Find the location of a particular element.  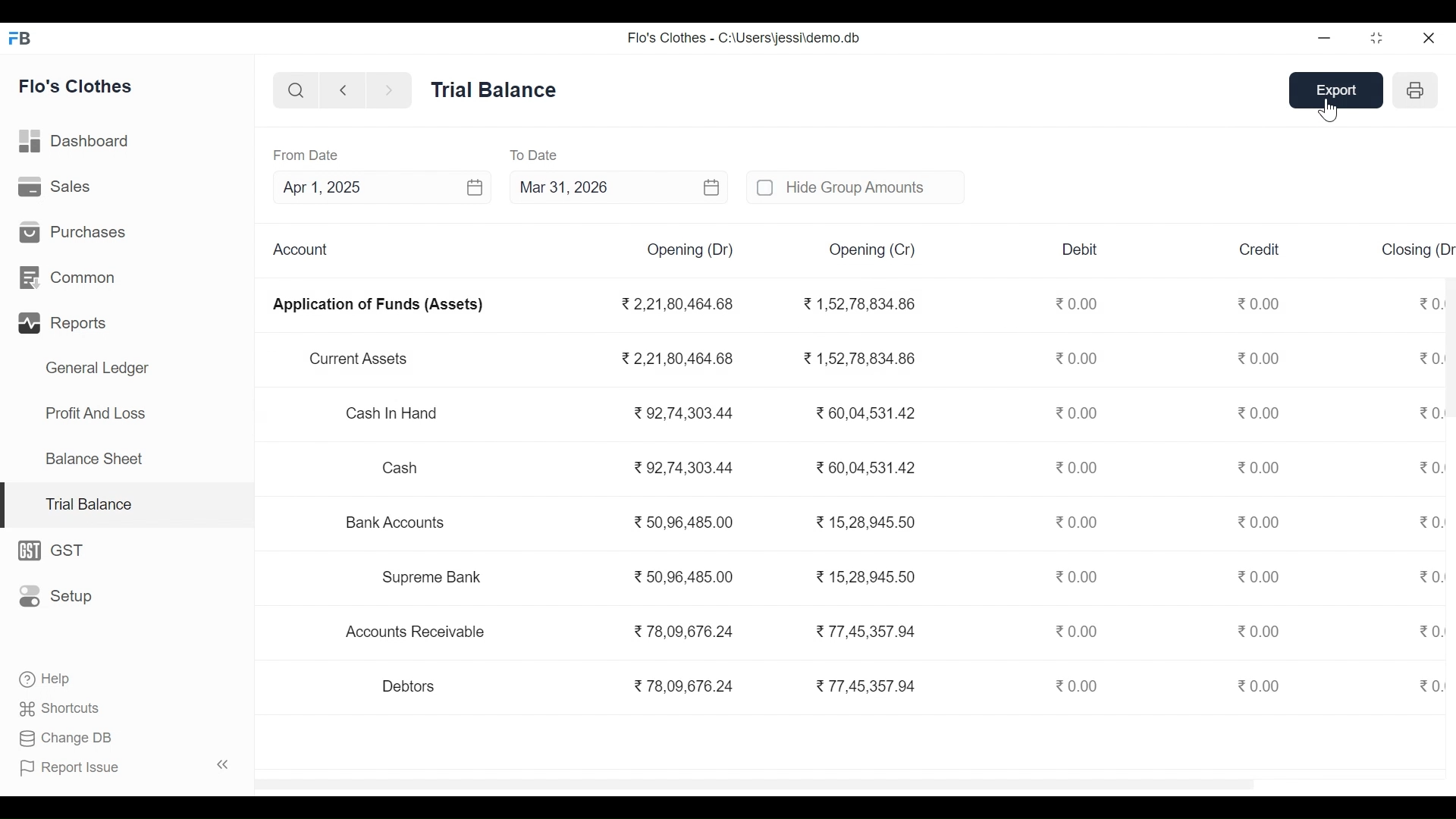

0.00 is located at coordinates (1260, 466).